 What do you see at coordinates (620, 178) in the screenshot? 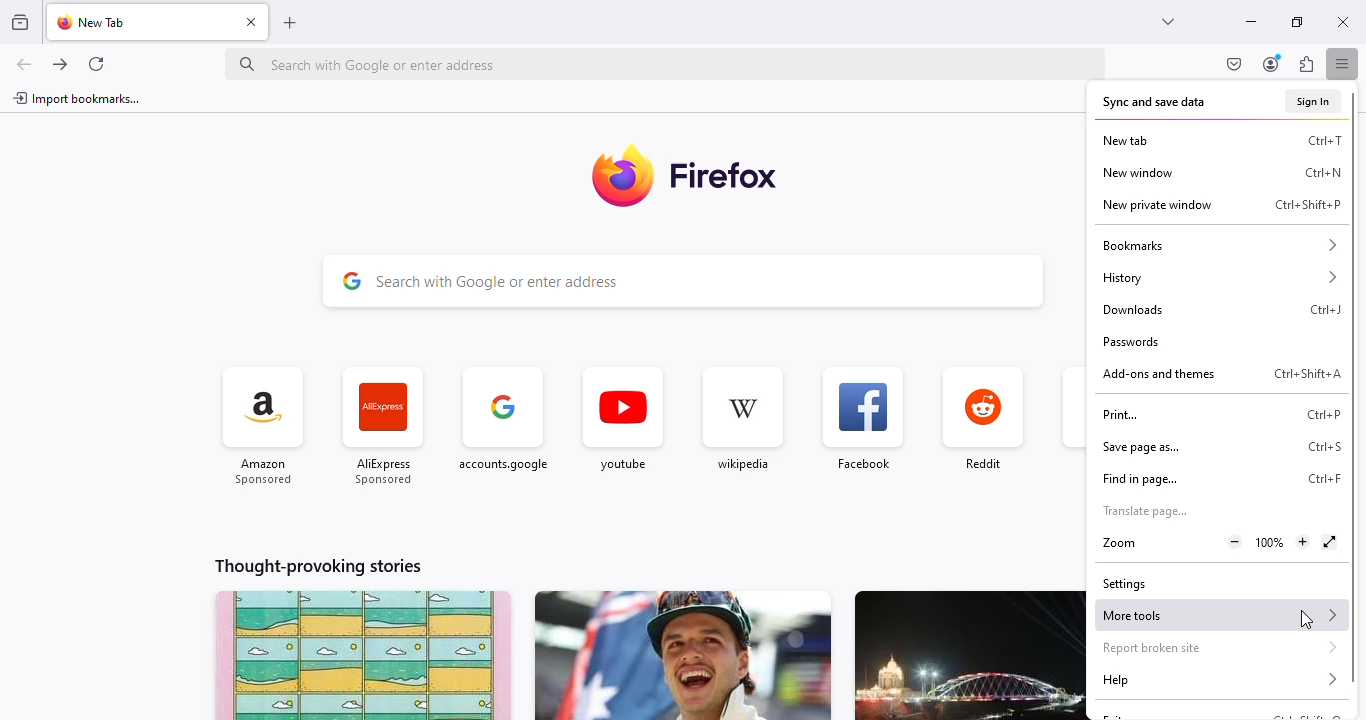
I see `logo` at bounding box center [620, 178].